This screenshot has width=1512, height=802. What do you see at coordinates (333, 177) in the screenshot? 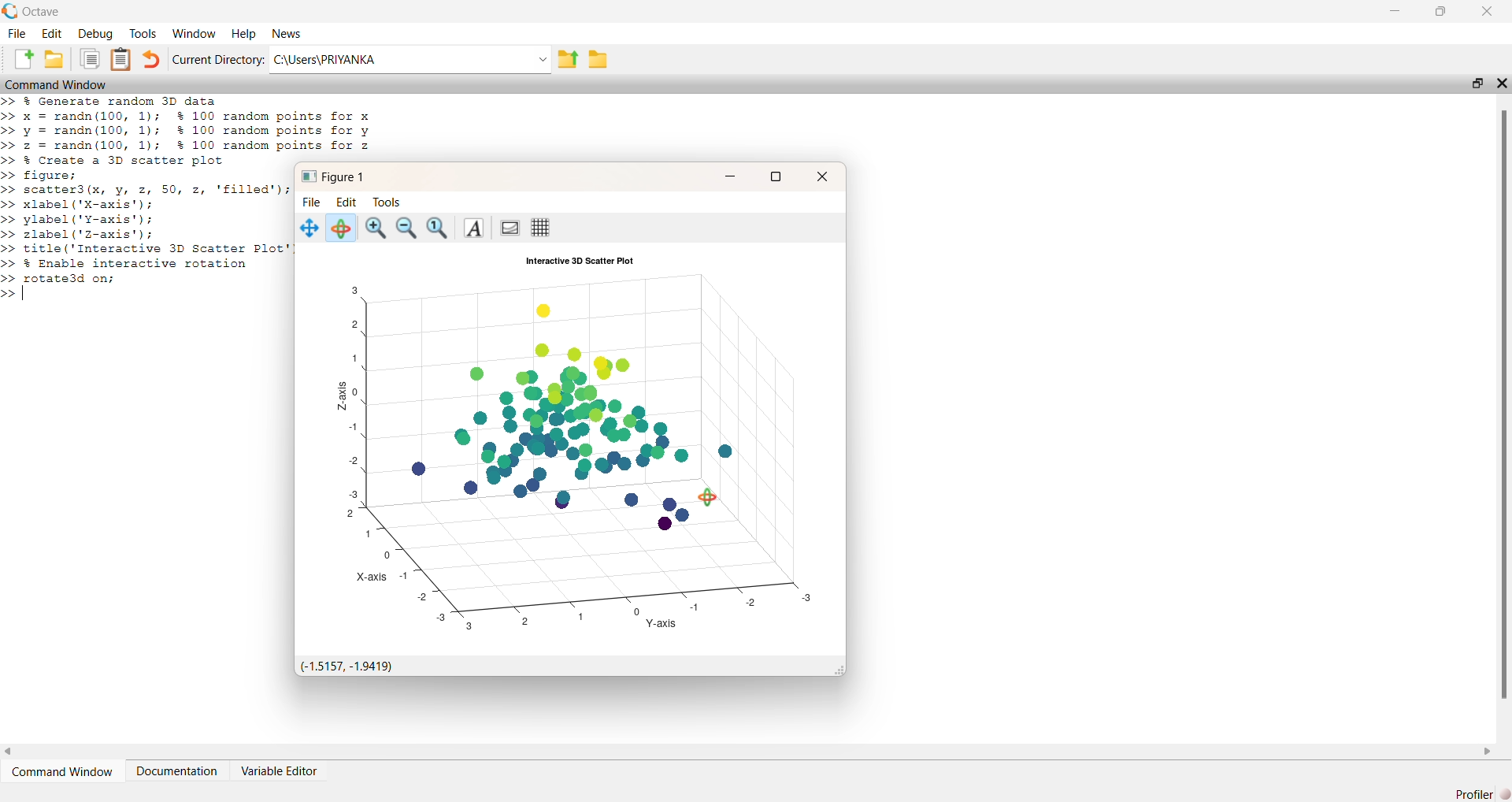
I see `Figure 1` at bounding box center [333, 177].